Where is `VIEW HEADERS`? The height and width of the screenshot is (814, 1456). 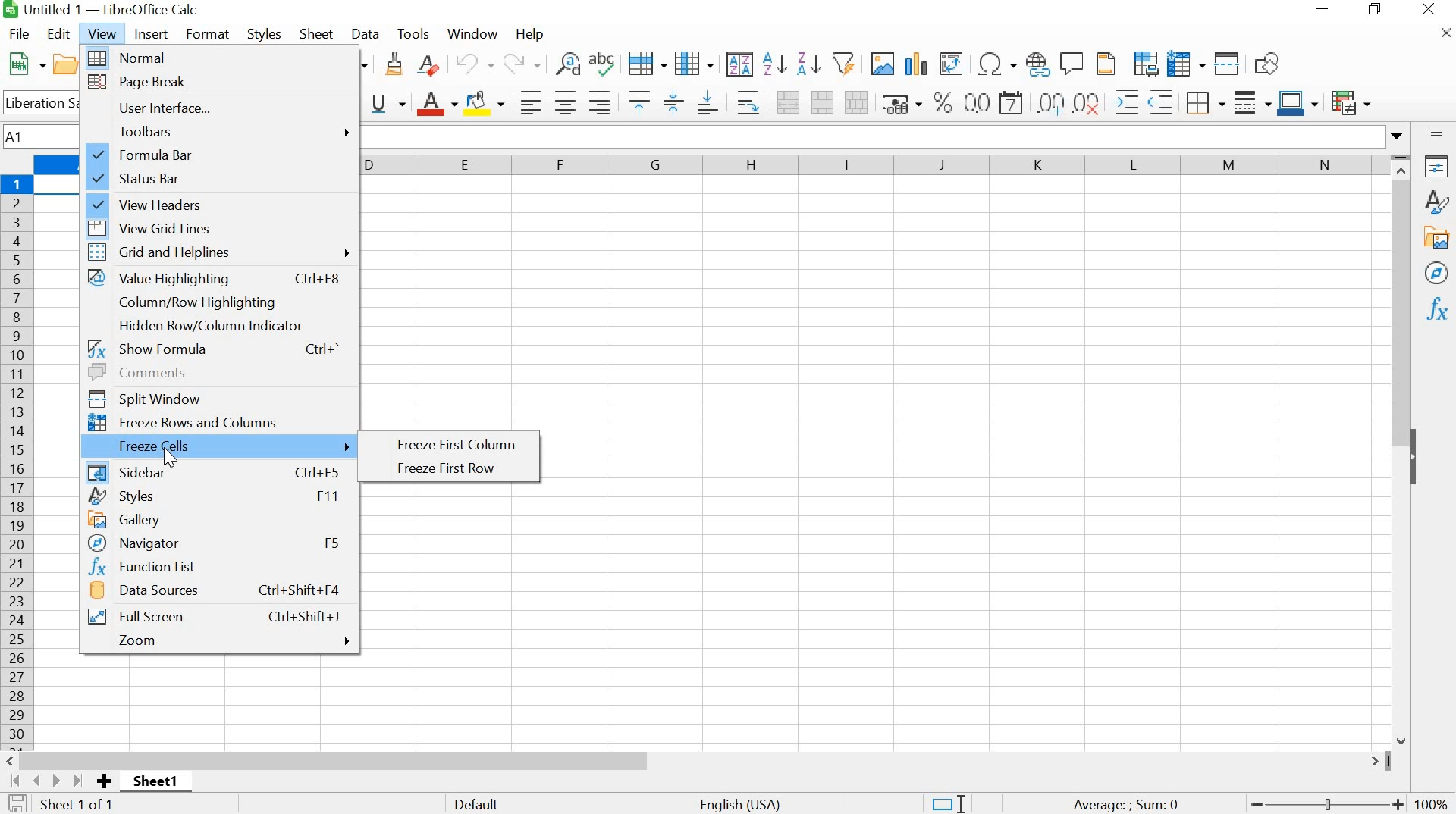
VIEW HEADERS is located at coordinates (221, 202).